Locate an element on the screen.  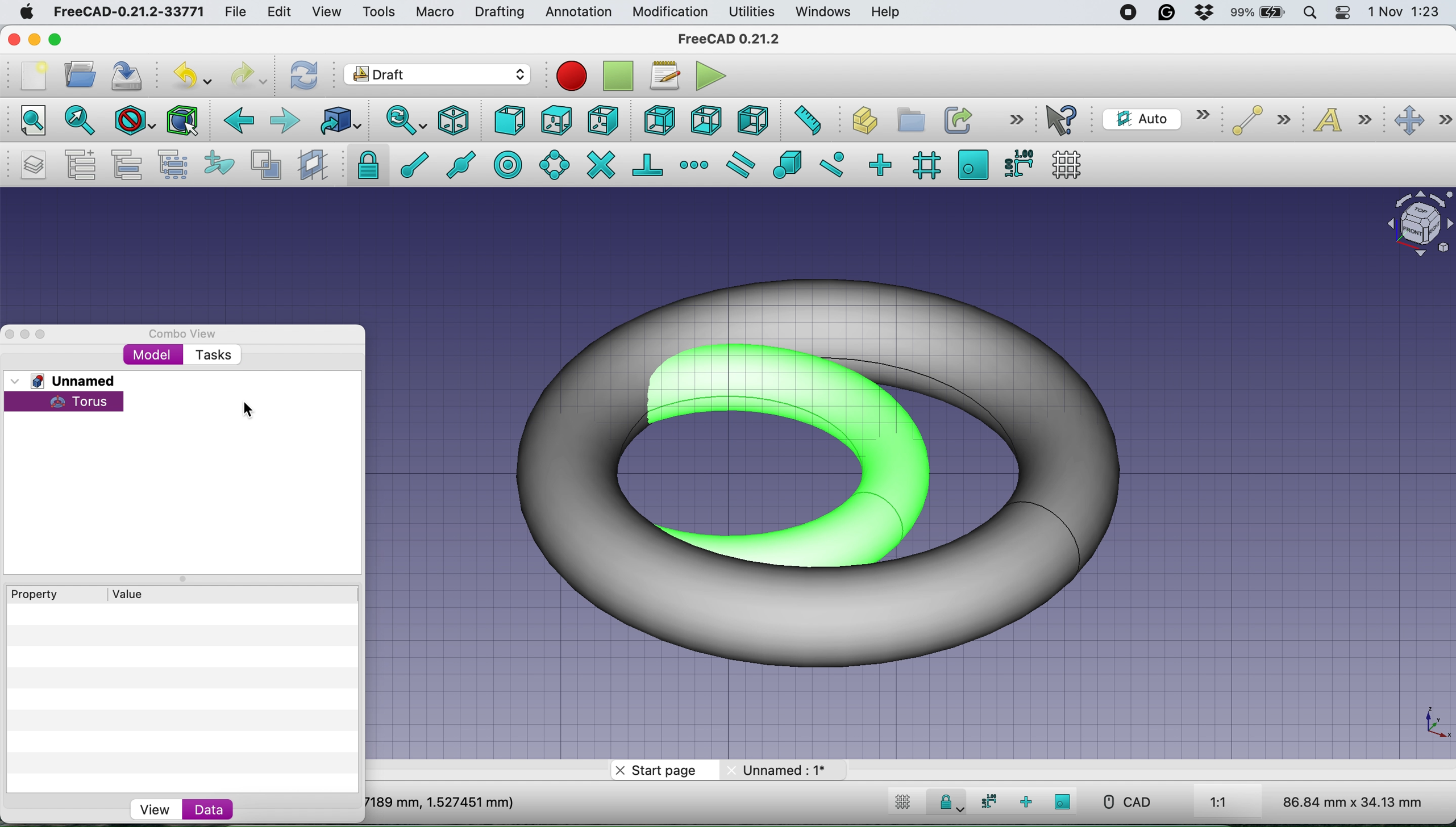
top is located at coordinates (555, 119).